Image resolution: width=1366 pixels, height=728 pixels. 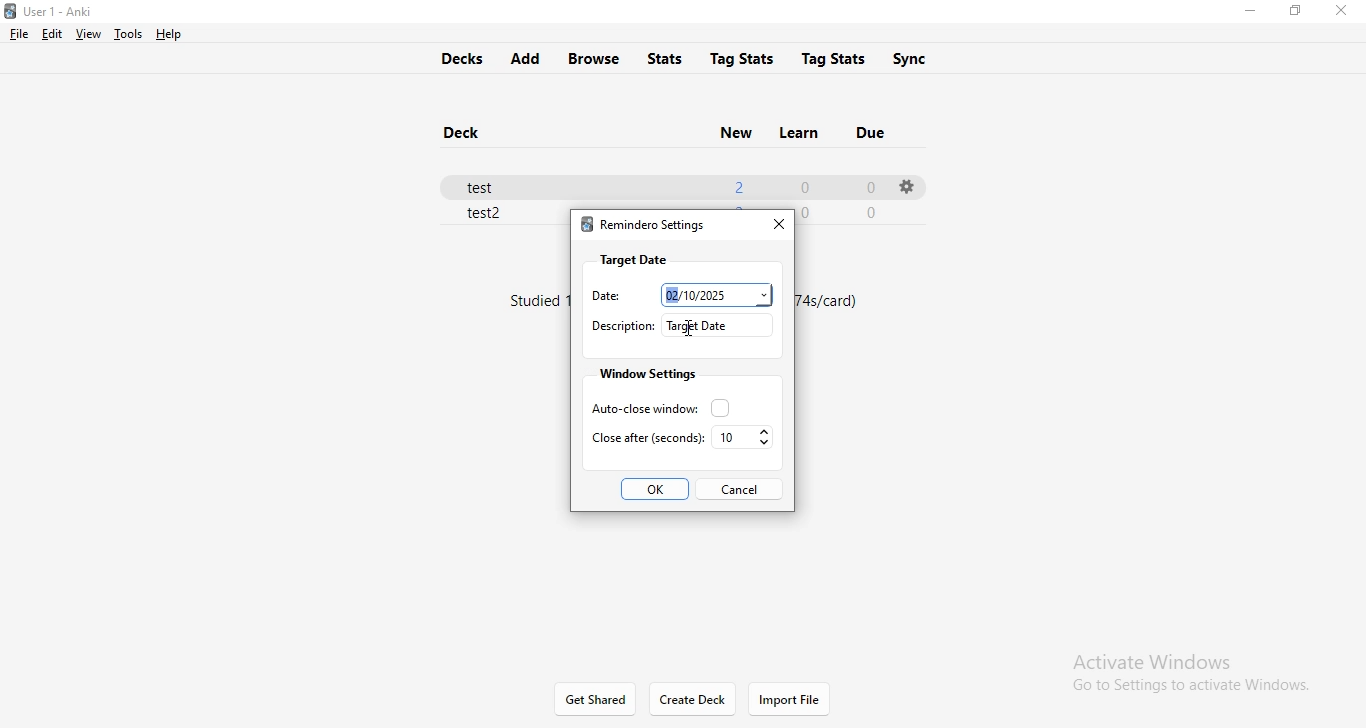 I want to click on tag stats, so click(x=742, y=57).